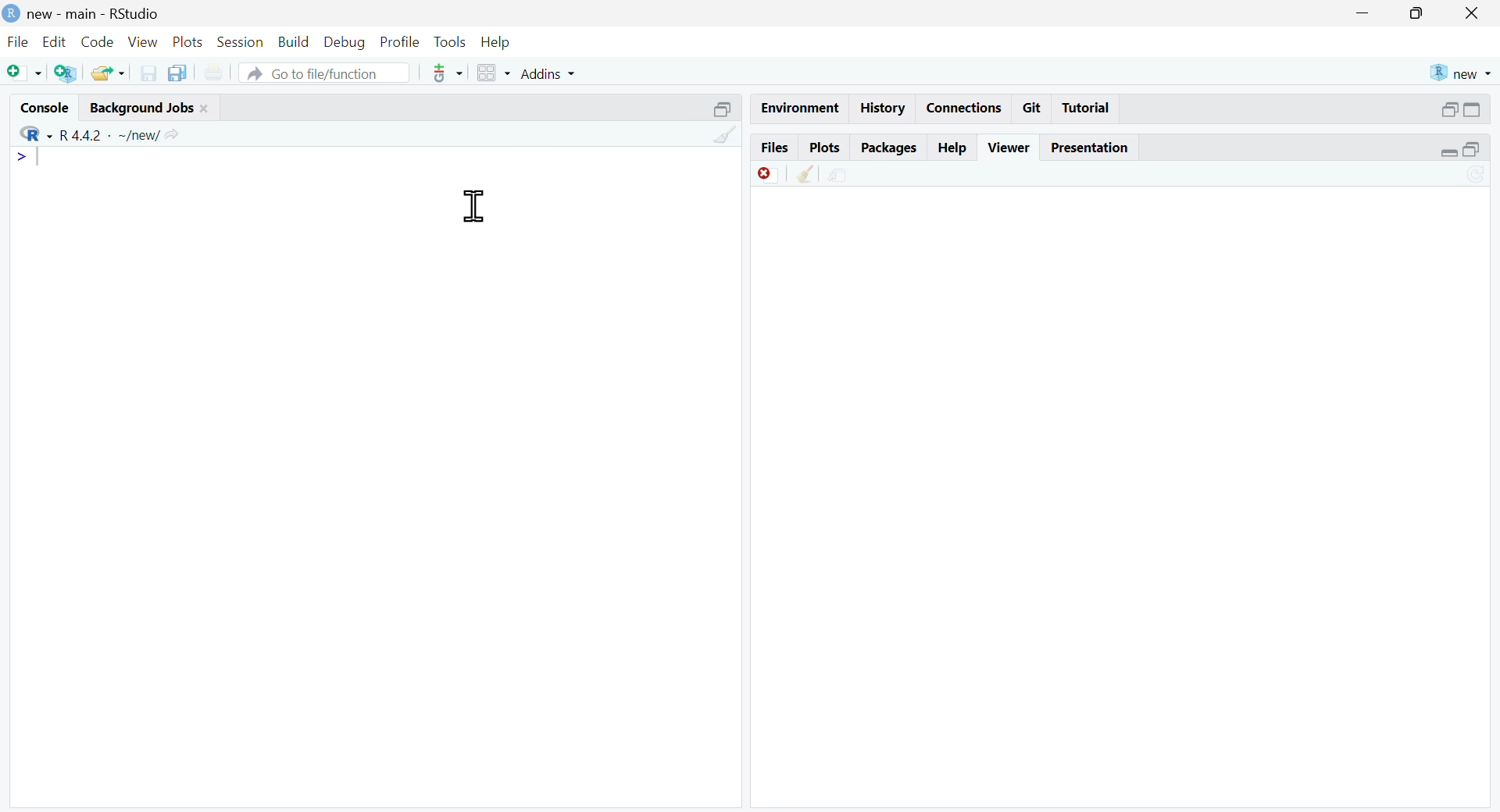 The height and width of the screenshot is (812, 1500). What do you see at coordinates (773, 148) in the screenshot?
I see `files` at bounding box center [773, 148].